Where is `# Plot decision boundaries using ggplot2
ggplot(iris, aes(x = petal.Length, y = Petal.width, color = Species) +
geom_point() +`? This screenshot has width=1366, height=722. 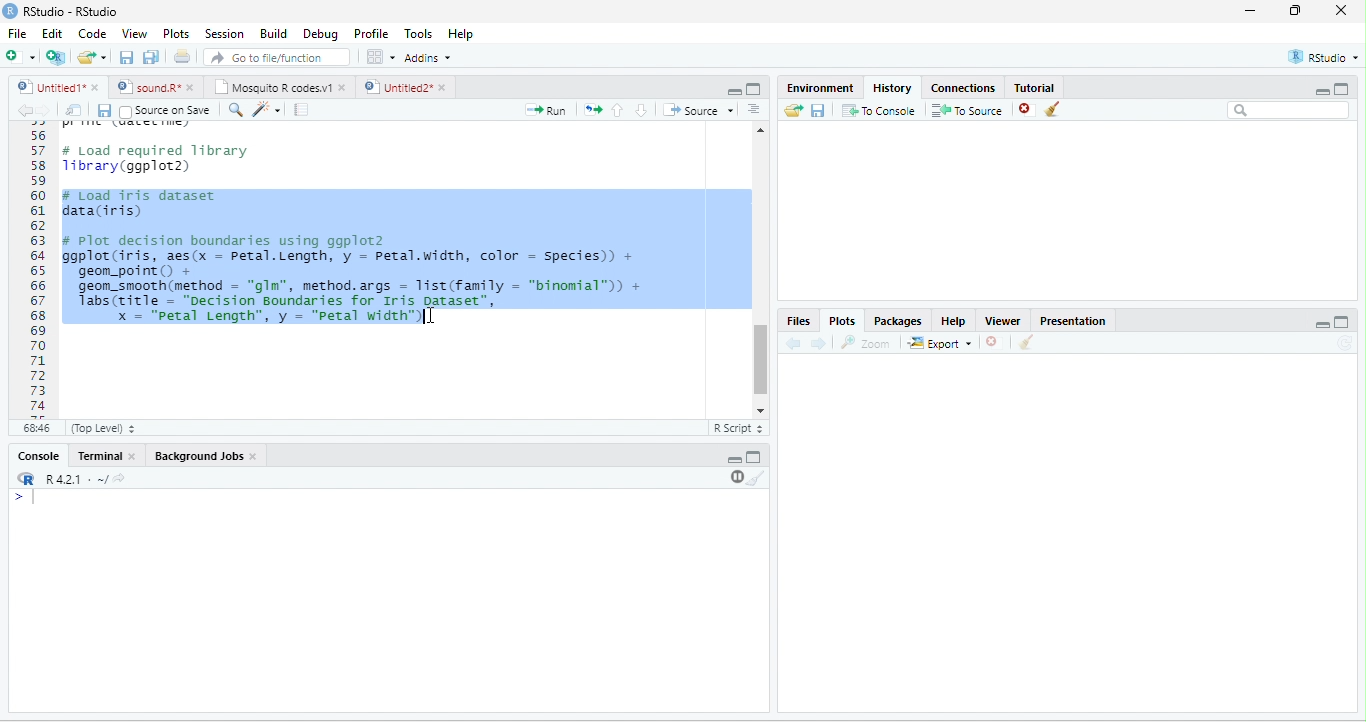
# Plot decision boundaries using ggplot2
ggplot(iris, aes(x = petal.Length, y = Petal.width, color = Species) +
geom_point() + is located at coordinates (349, 255).